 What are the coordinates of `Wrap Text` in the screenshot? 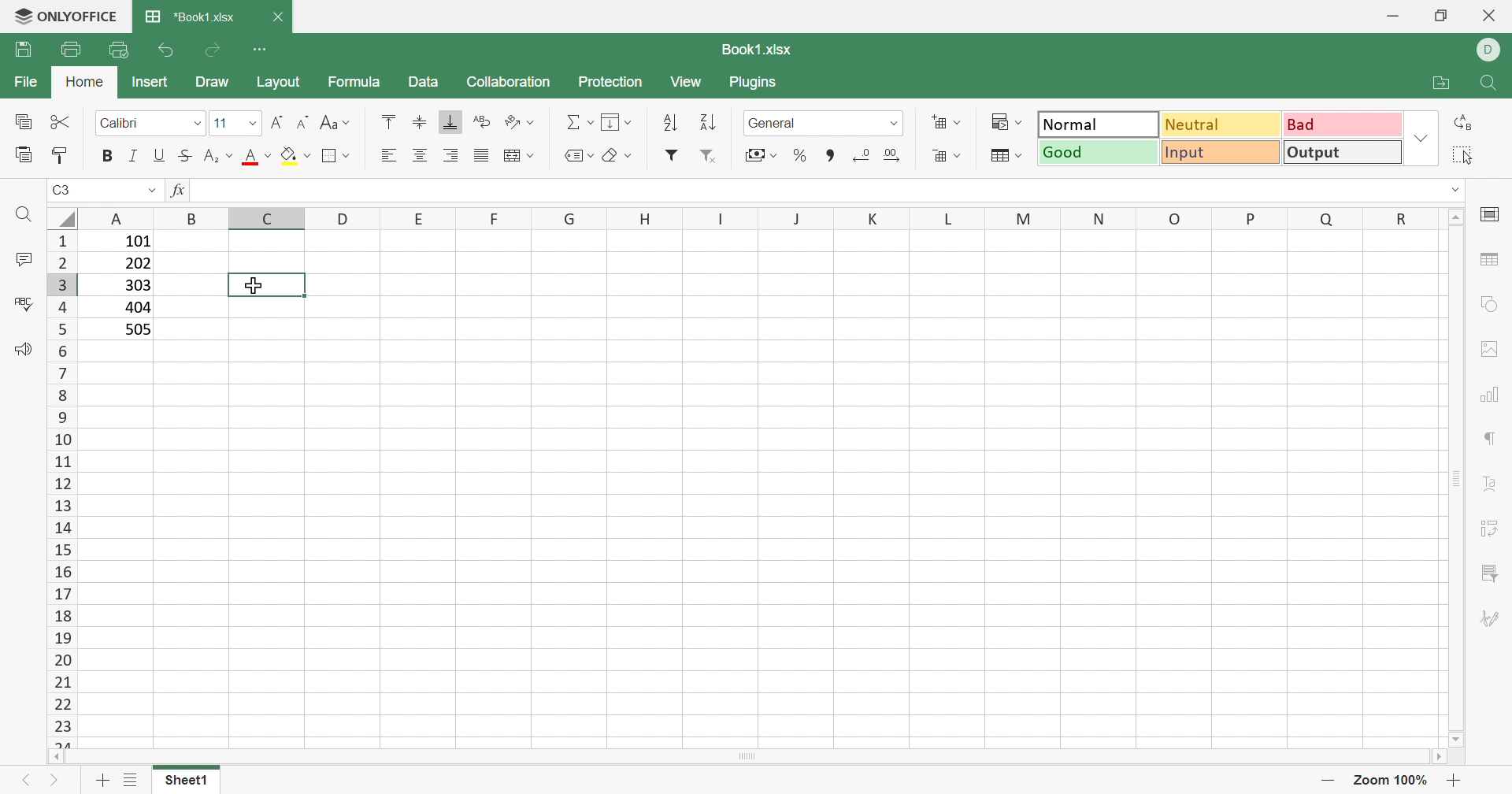 It's located at (480, 123).